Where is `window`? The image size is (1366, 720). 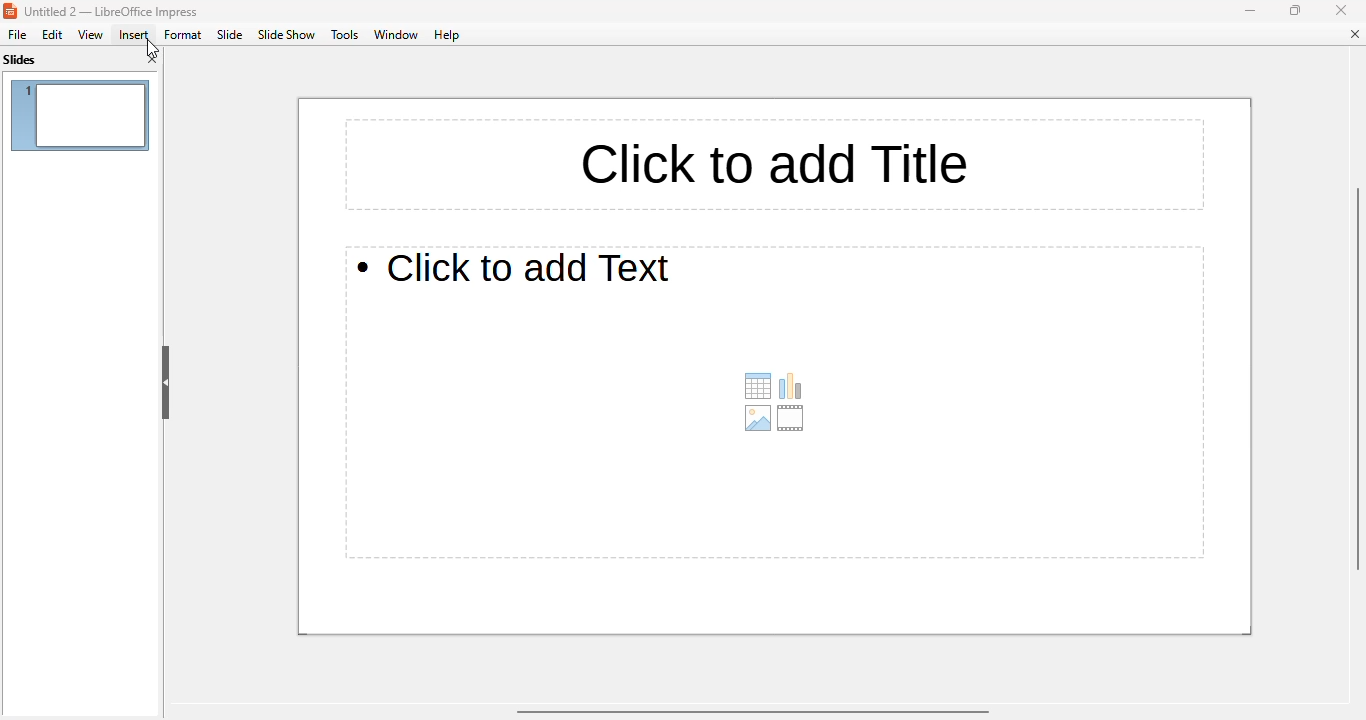 window is located at coordinates (396, 34).